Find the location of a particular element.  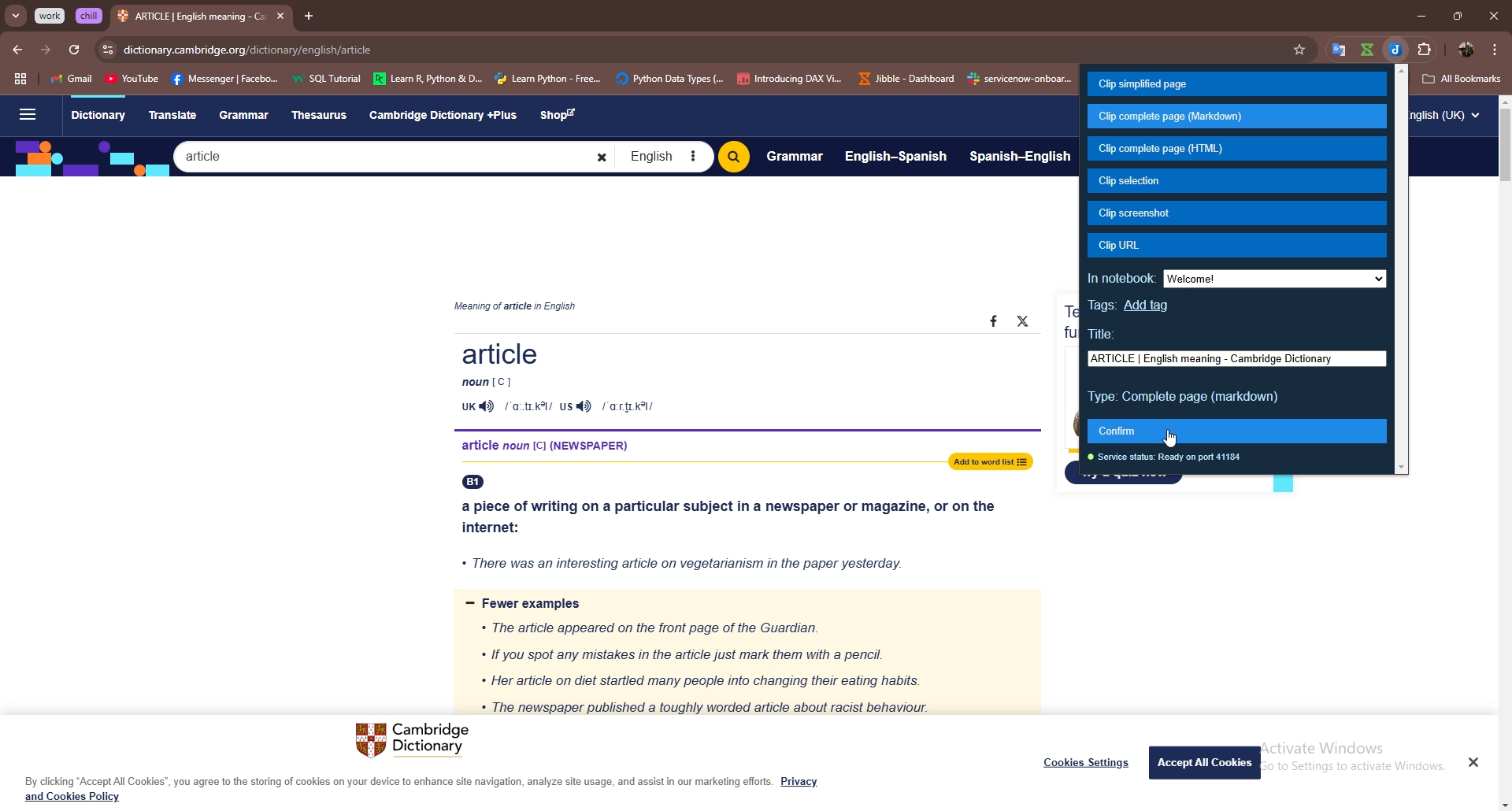

view site info is located at coordinates (108, 50).